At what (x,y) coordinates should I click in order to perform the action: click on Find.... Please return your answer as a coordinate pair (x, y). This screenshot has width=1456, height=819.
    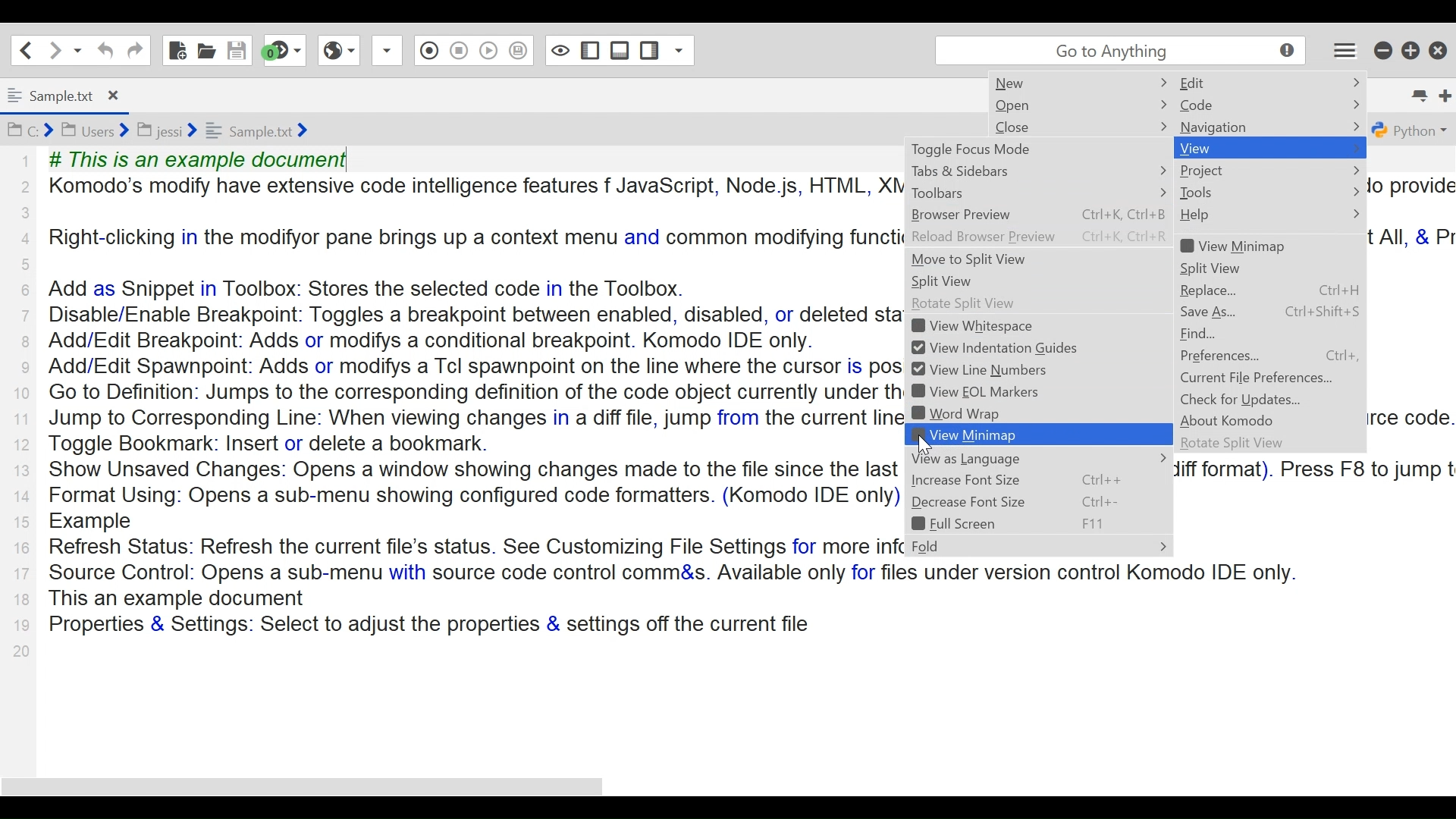
    Looking at the image, I should click on (1221, 334).